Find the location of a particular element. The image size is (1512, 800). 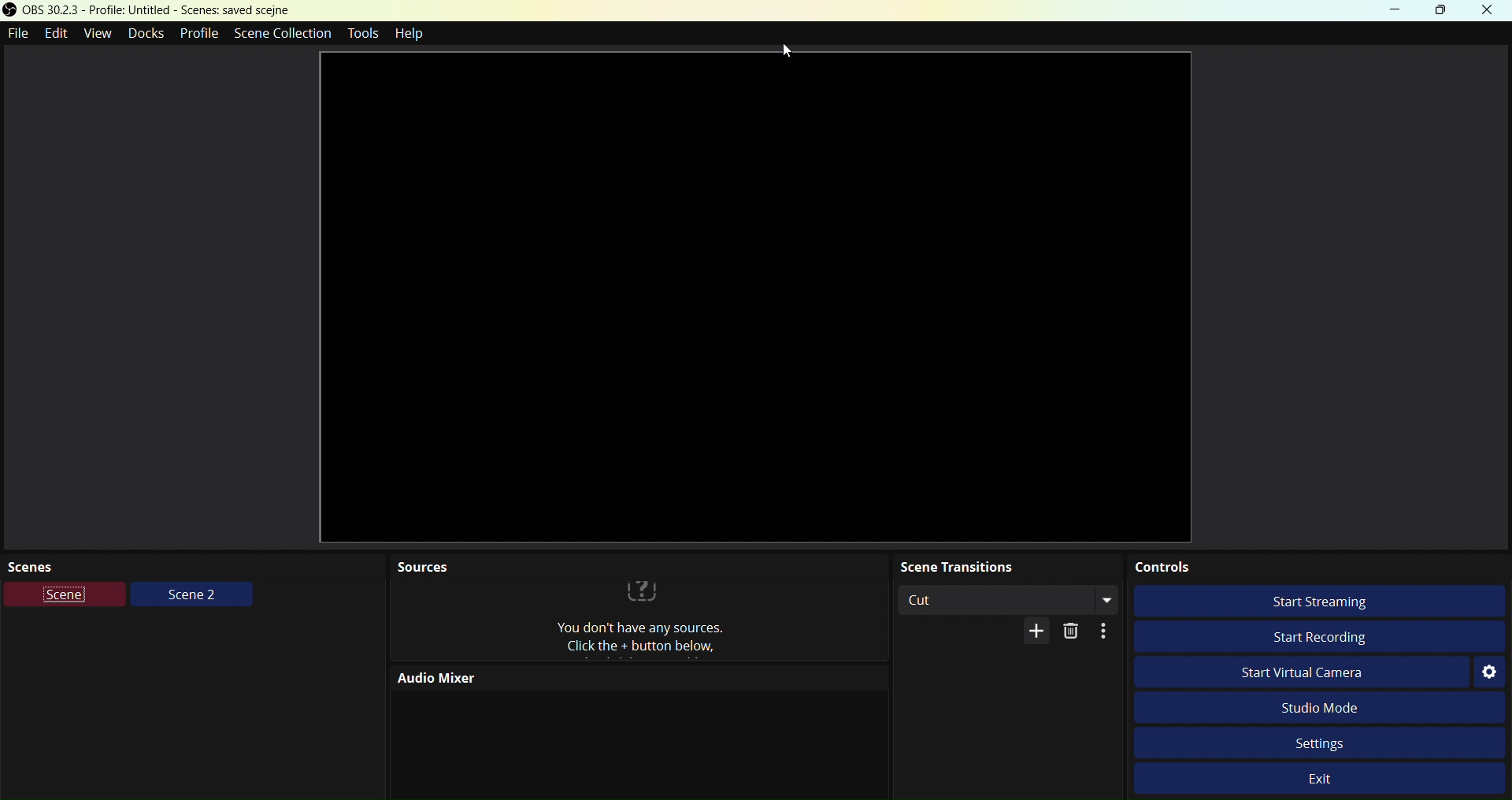

Settings is located at coordinates (1489, 672).